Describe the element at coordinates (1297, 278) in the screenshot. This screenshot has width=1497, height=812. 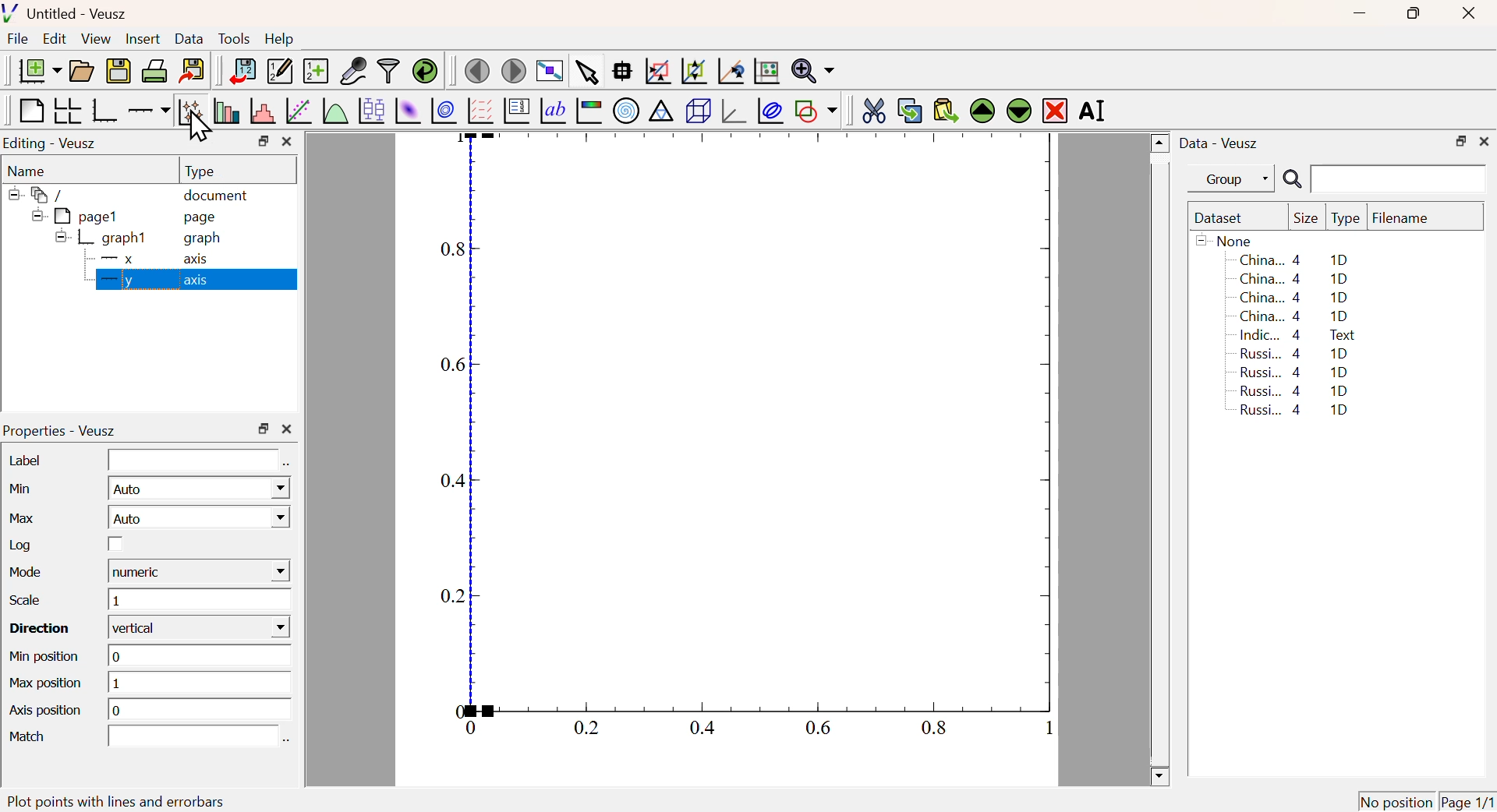
I see `China... 4 1D` at that location.